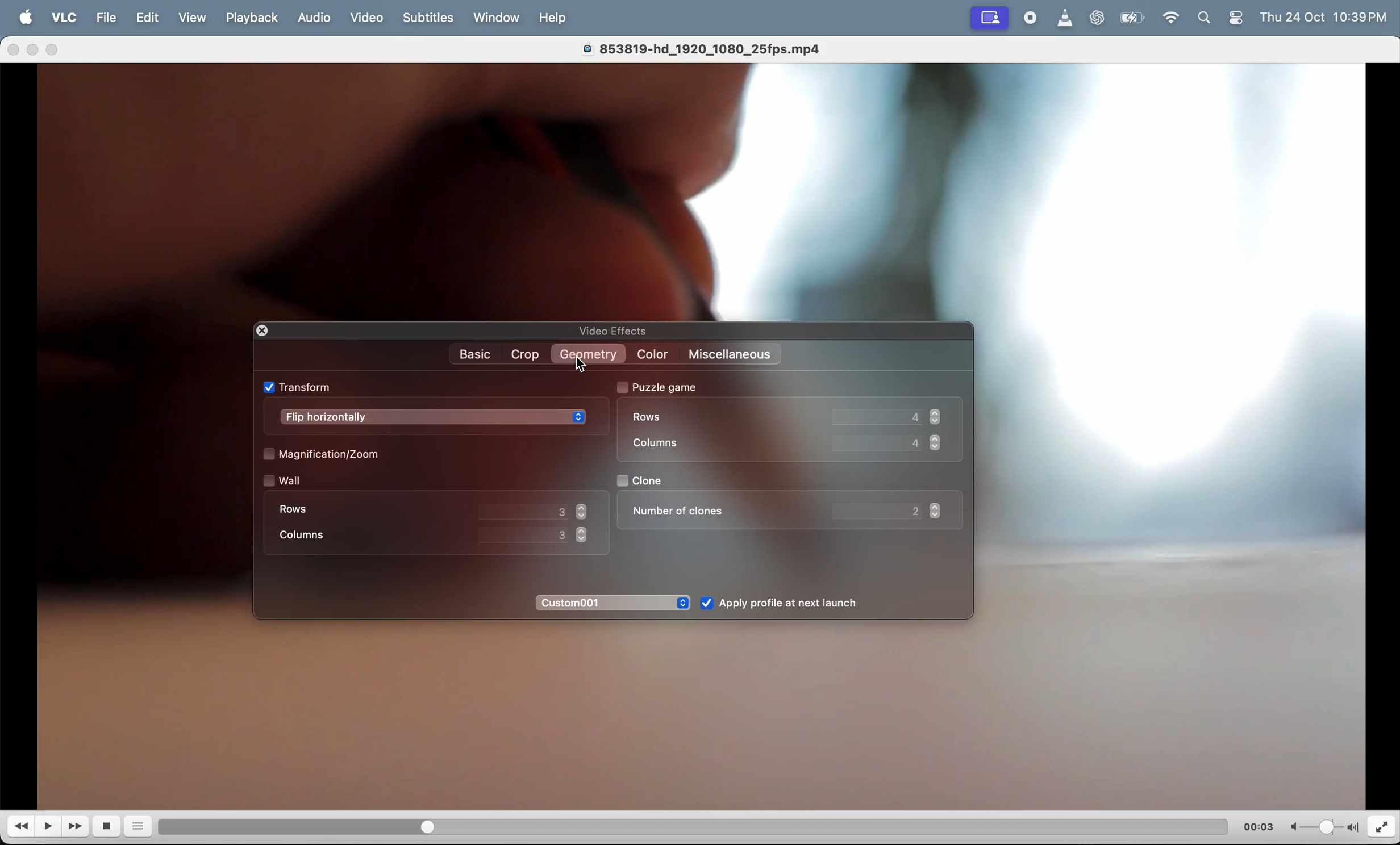 This screenshot has width=1400, height=845. I want to click on Apple menu, so click(27, 18).